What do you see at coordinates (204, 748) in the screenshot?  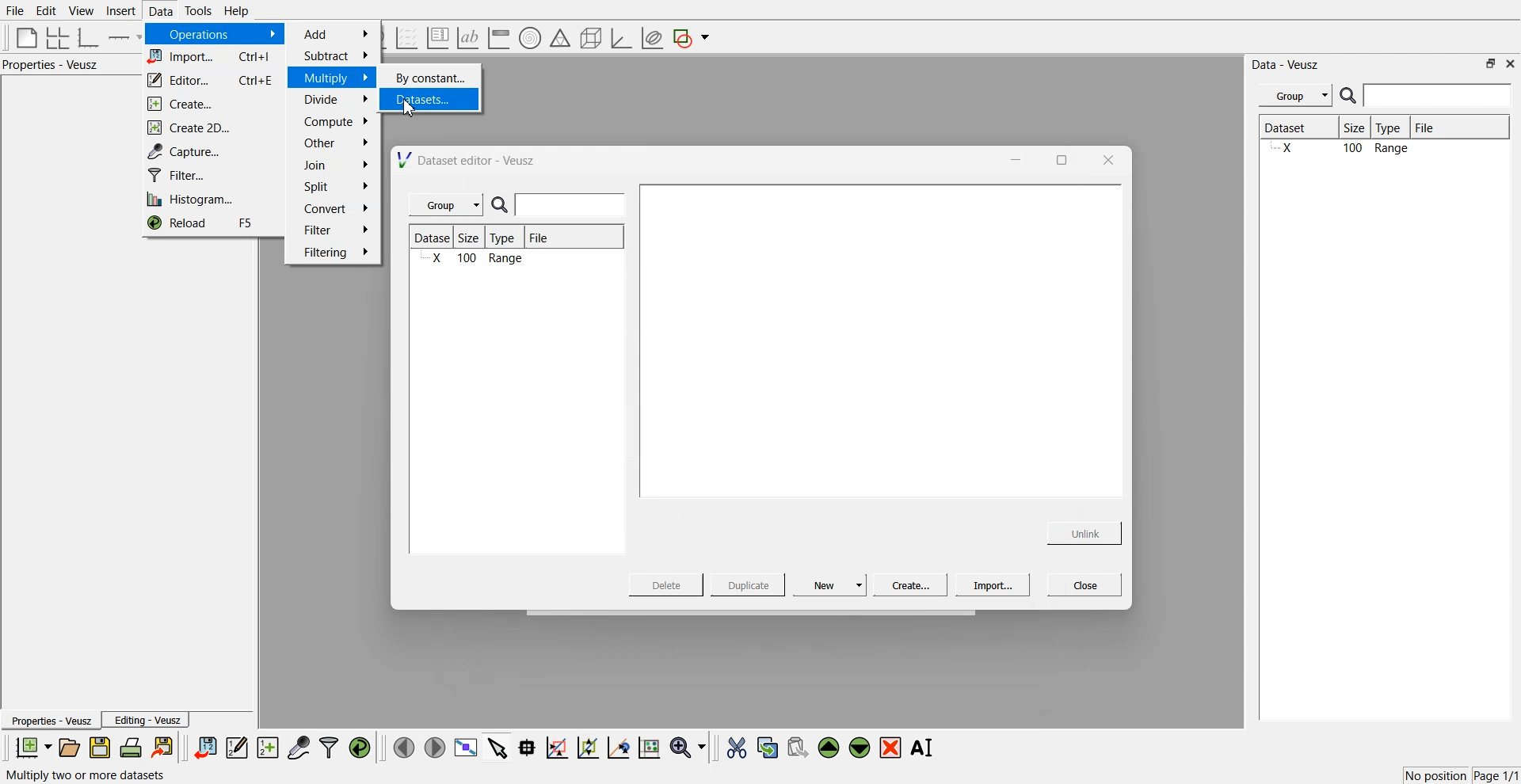 I see `import data sets` at bounding box center [204, 748].